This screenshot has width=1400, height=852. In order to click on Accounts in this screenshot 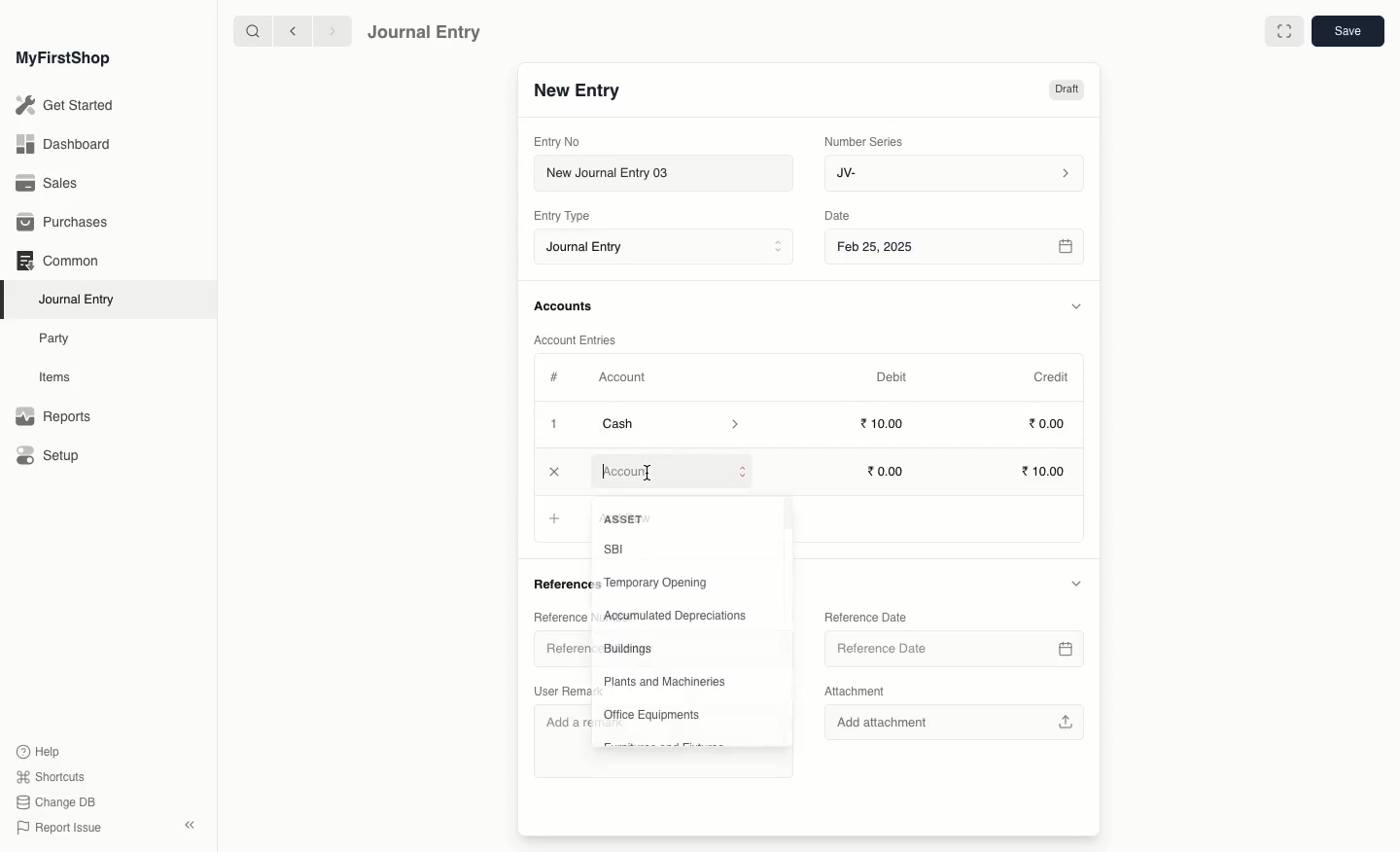, I will do `click(565, 306)`.